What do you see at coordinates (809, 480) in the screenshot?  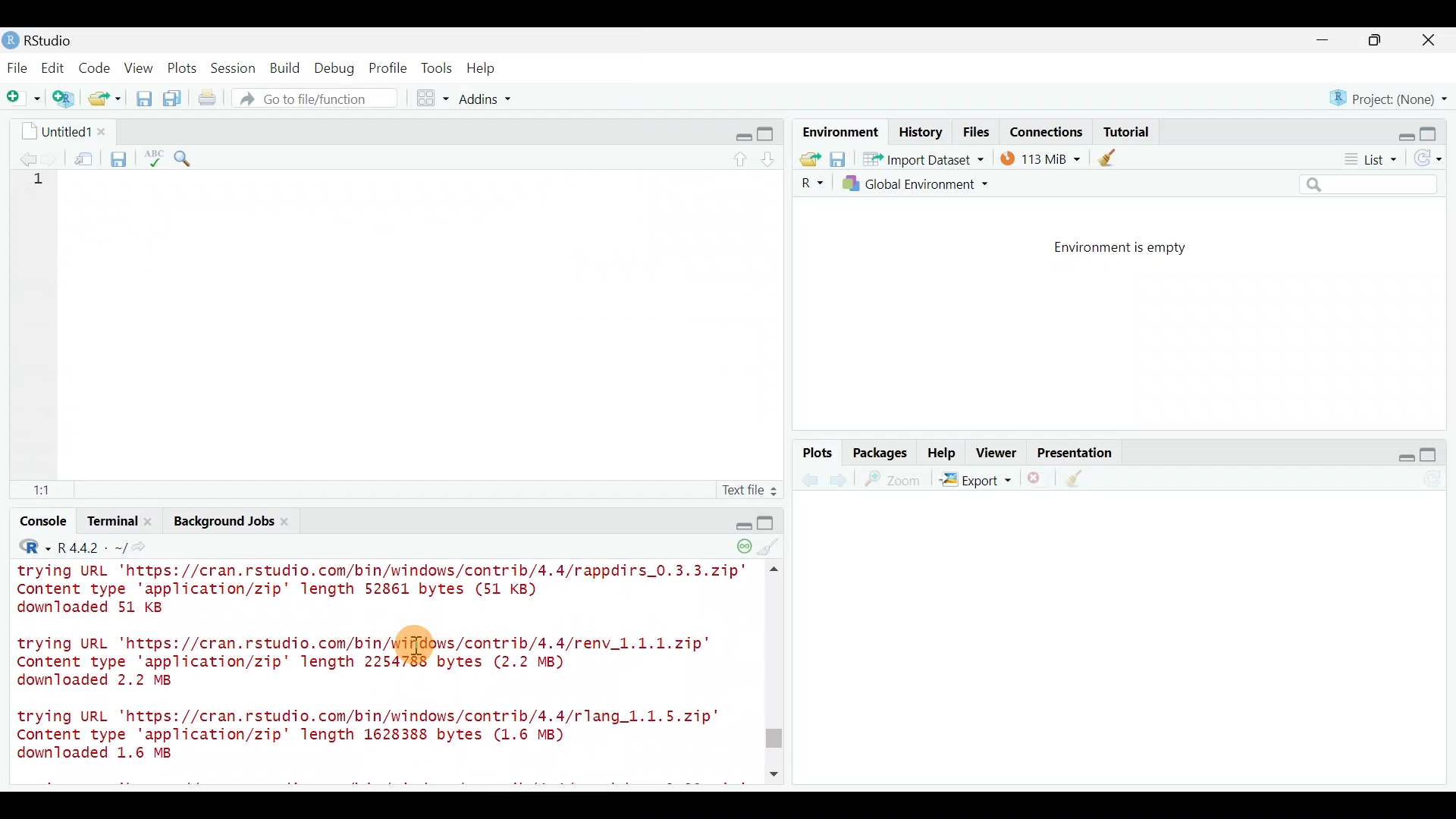 I see `next plot` at bounding box center [809, 480].